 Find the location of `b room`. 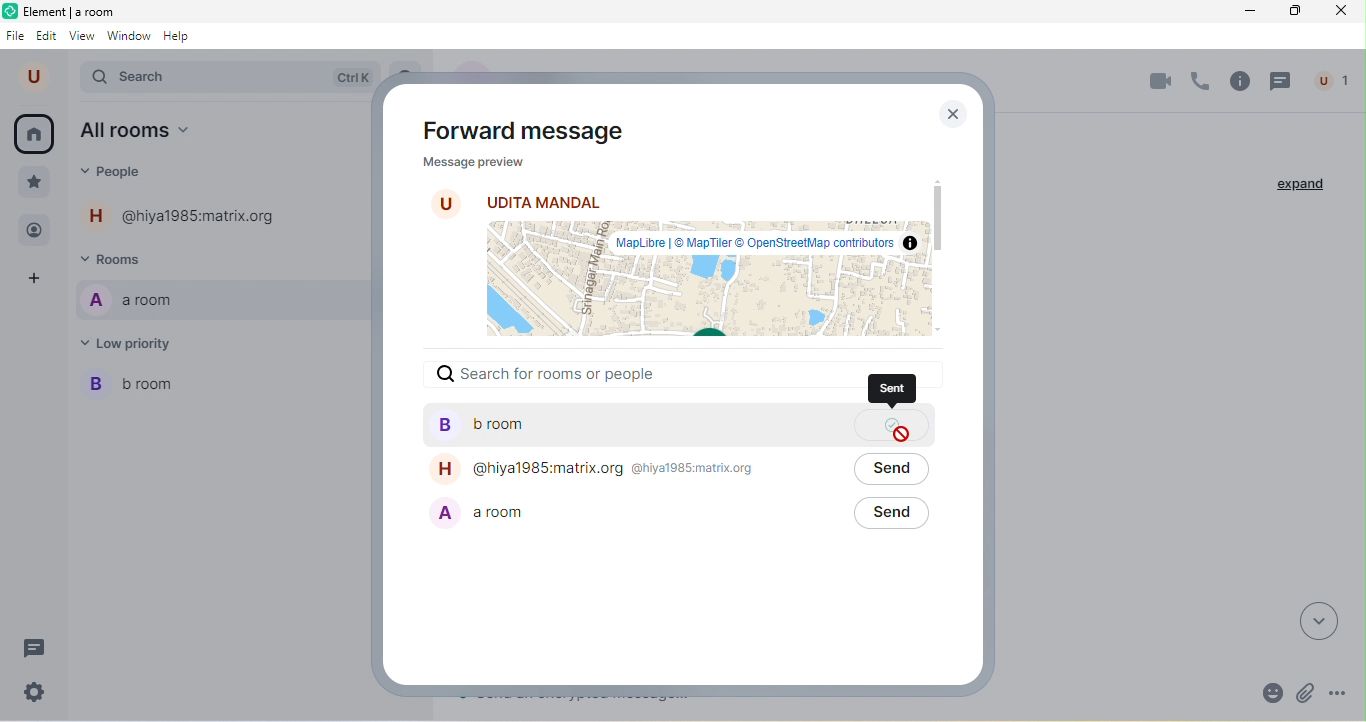

b room is located at coordinates (632, 425).